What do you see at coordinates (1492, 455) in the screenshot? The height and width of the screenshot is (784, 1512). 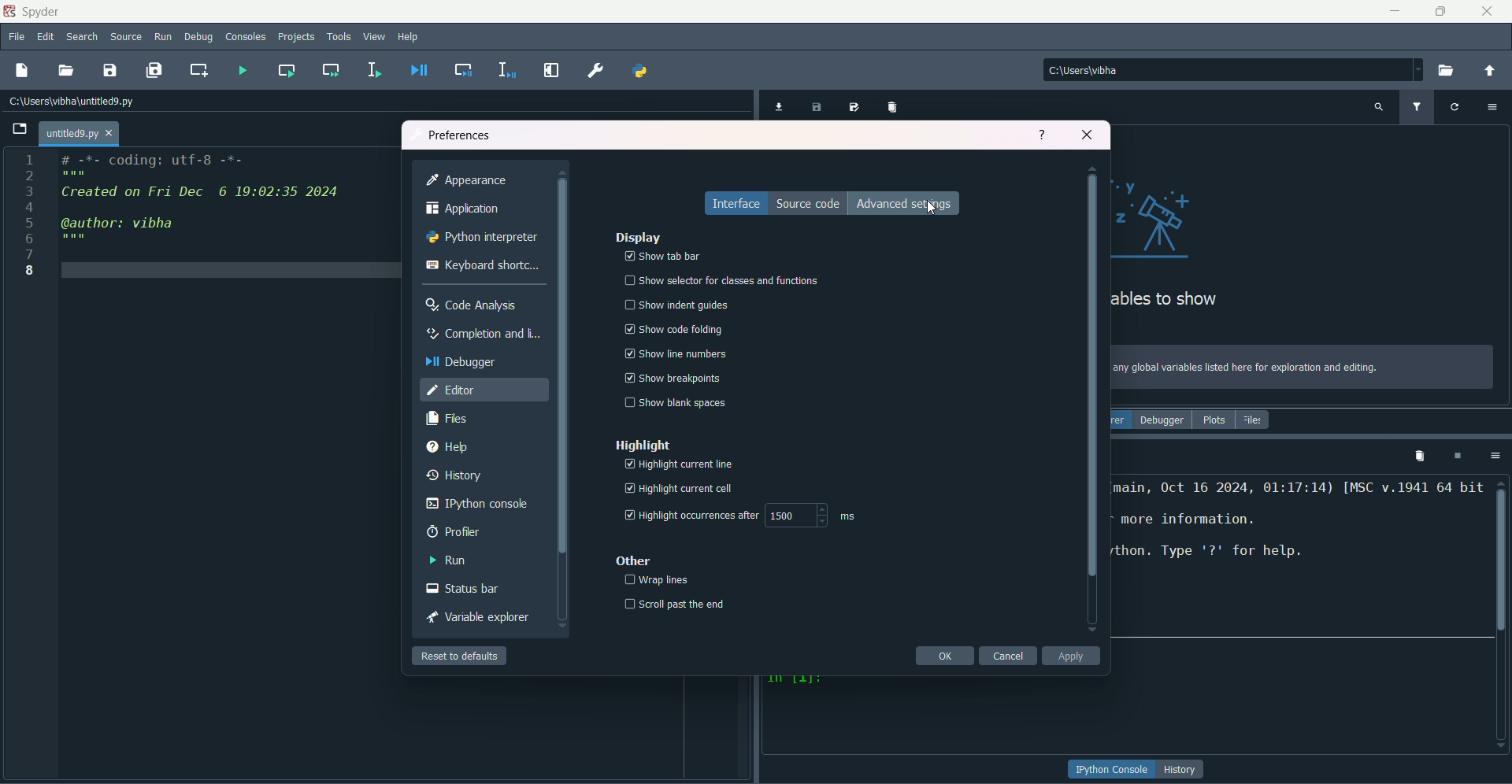 I see `options` at bounding box center [1492, 455].